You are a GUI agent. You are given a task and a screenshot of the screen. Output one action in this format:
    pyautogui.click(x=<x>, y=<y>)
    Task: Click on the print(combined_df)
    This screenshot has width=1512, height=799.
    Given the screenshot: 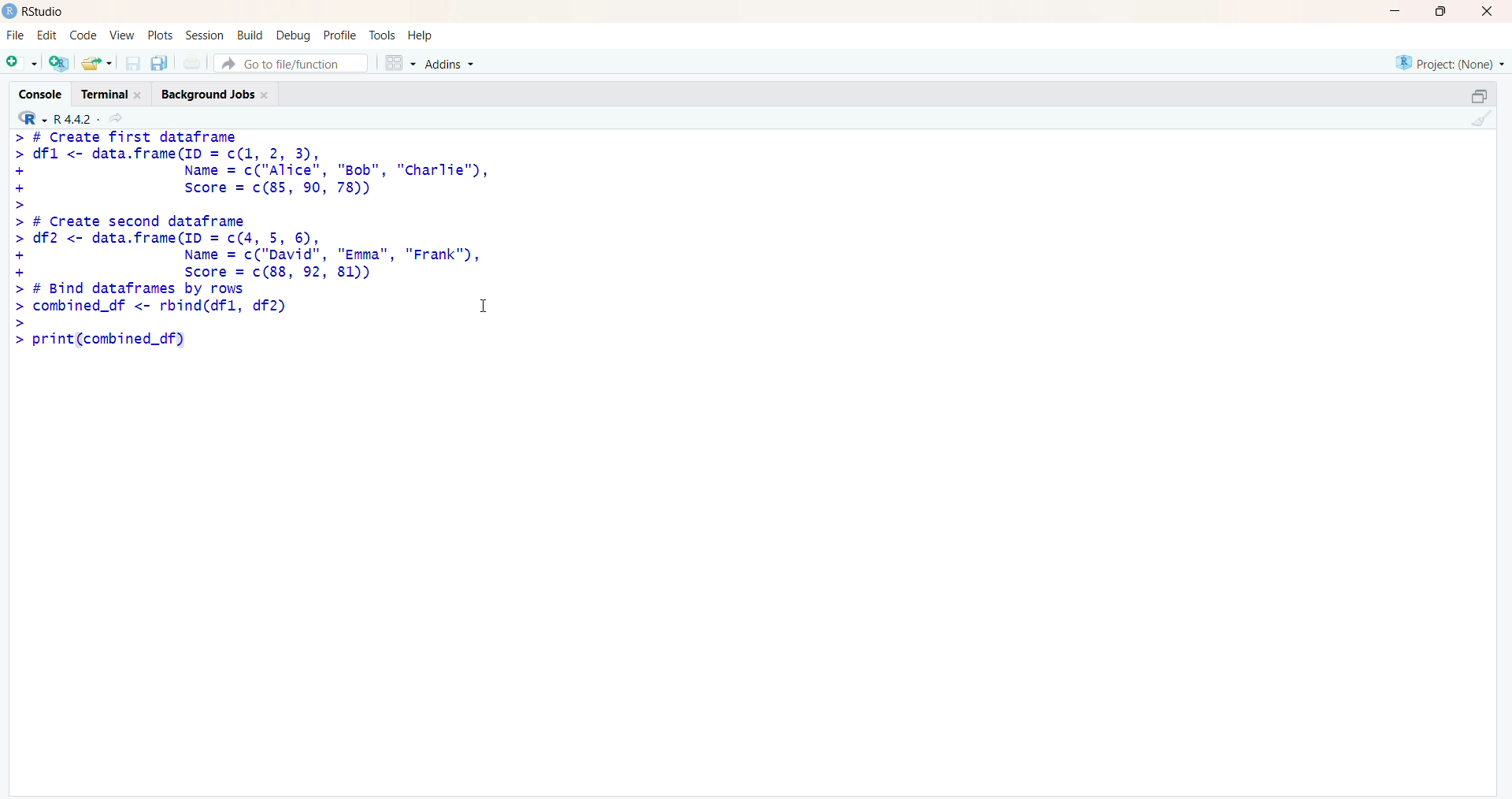 What is the action you would take?
    pyautogui.click(x=98, y=339)
    